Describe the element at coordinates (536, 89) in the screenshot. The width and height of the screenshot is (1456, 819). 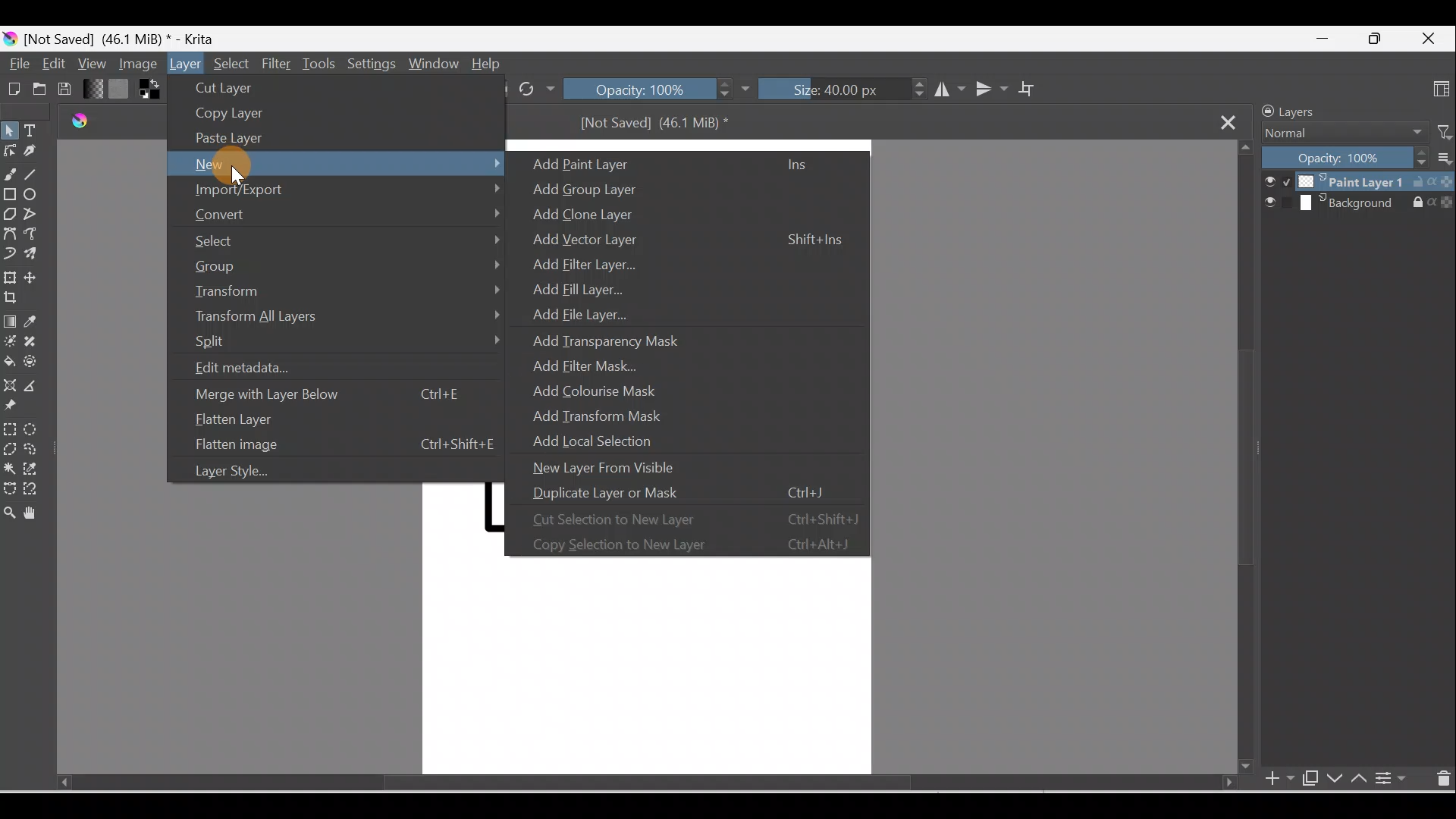
I see `Reload original preset` at that location.